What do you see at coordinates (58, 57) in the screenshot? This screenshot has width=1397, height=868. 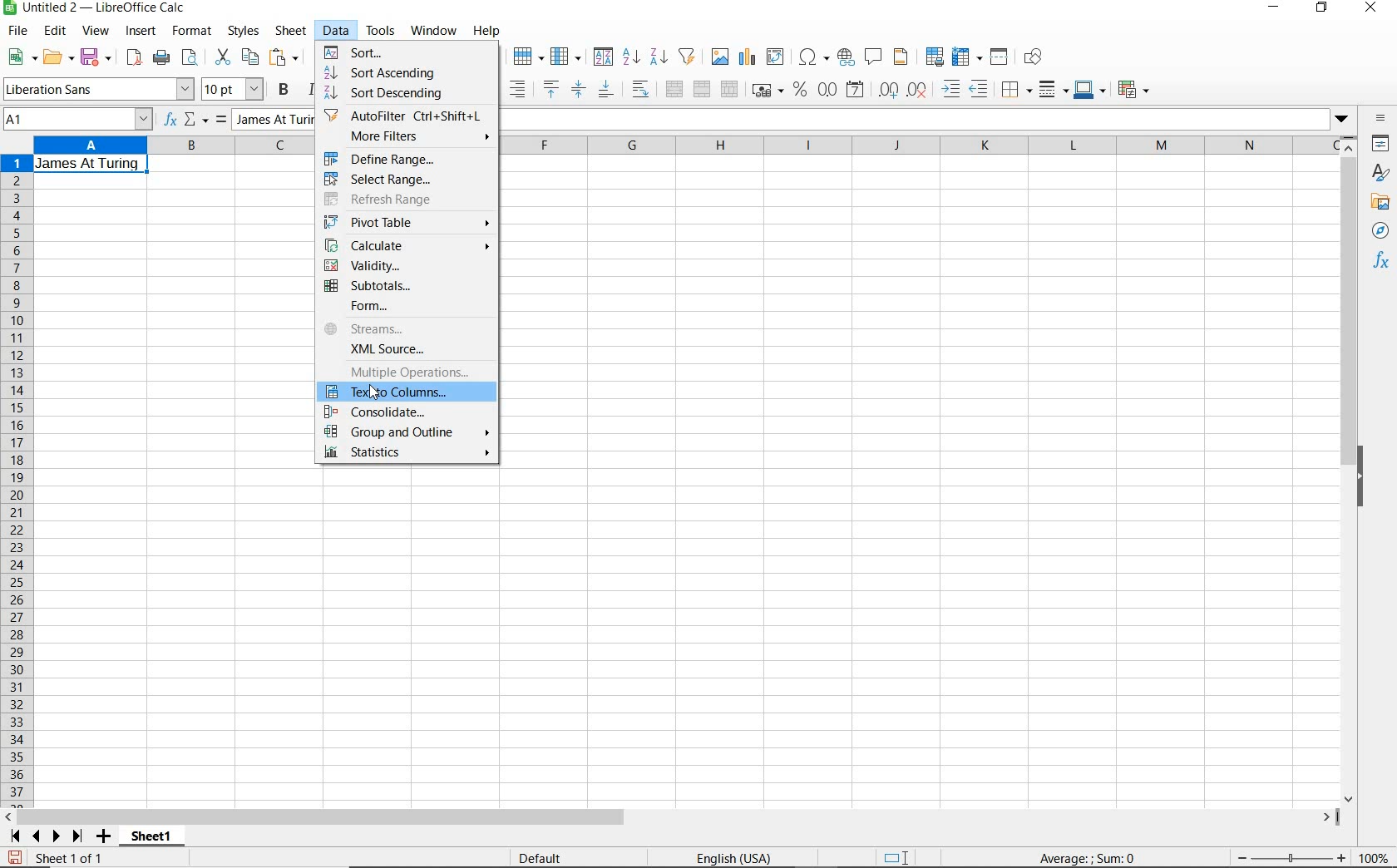 I see `open` at bounding box center [58, 57].